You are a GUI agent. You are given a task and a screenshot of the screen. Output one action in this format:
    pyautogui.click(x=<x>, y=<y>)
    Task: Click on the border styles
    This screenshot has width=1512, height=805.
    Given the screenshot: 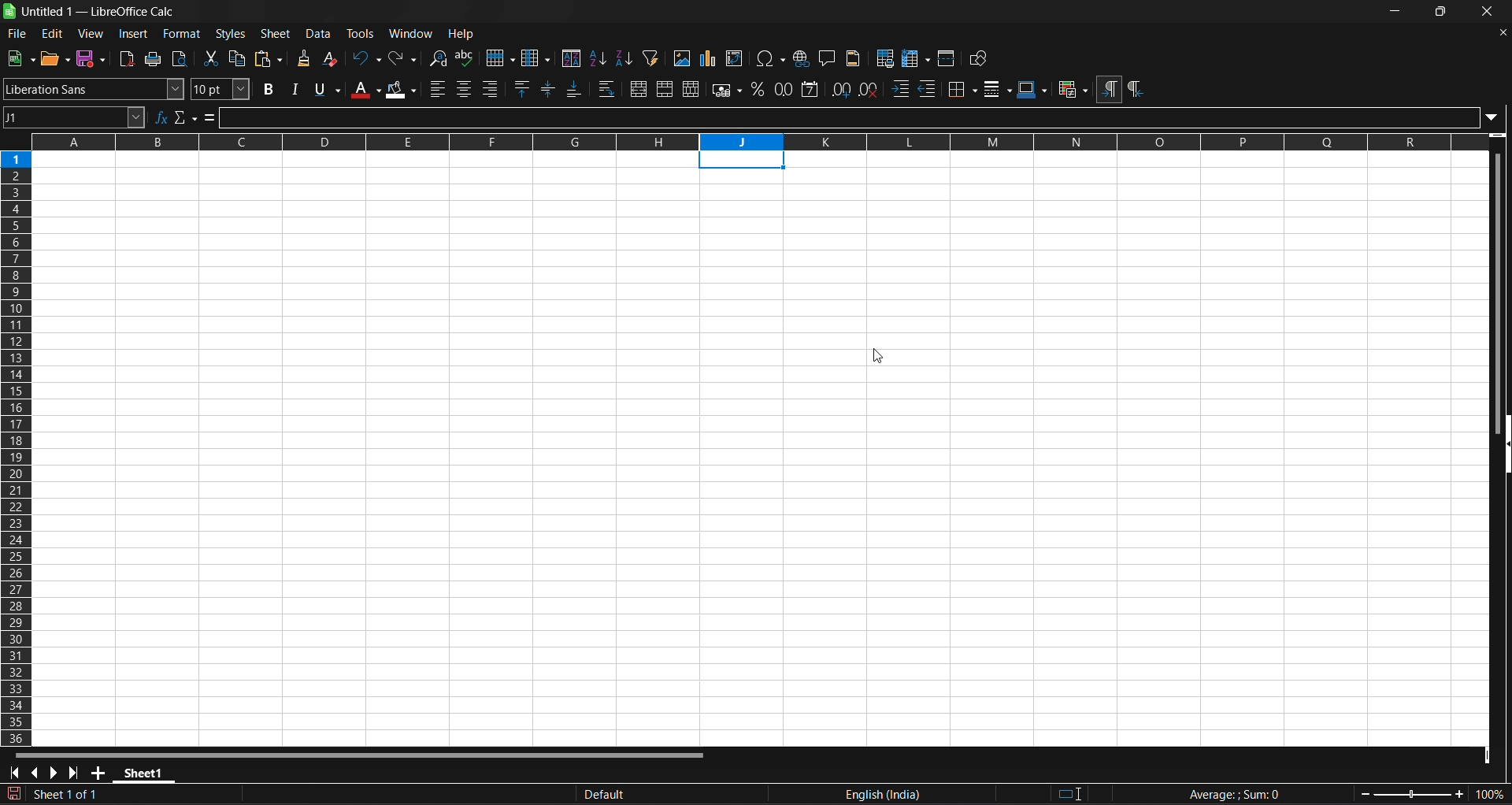 What is the action you would take?
    pyautogui.click(x=997, y=89)
    